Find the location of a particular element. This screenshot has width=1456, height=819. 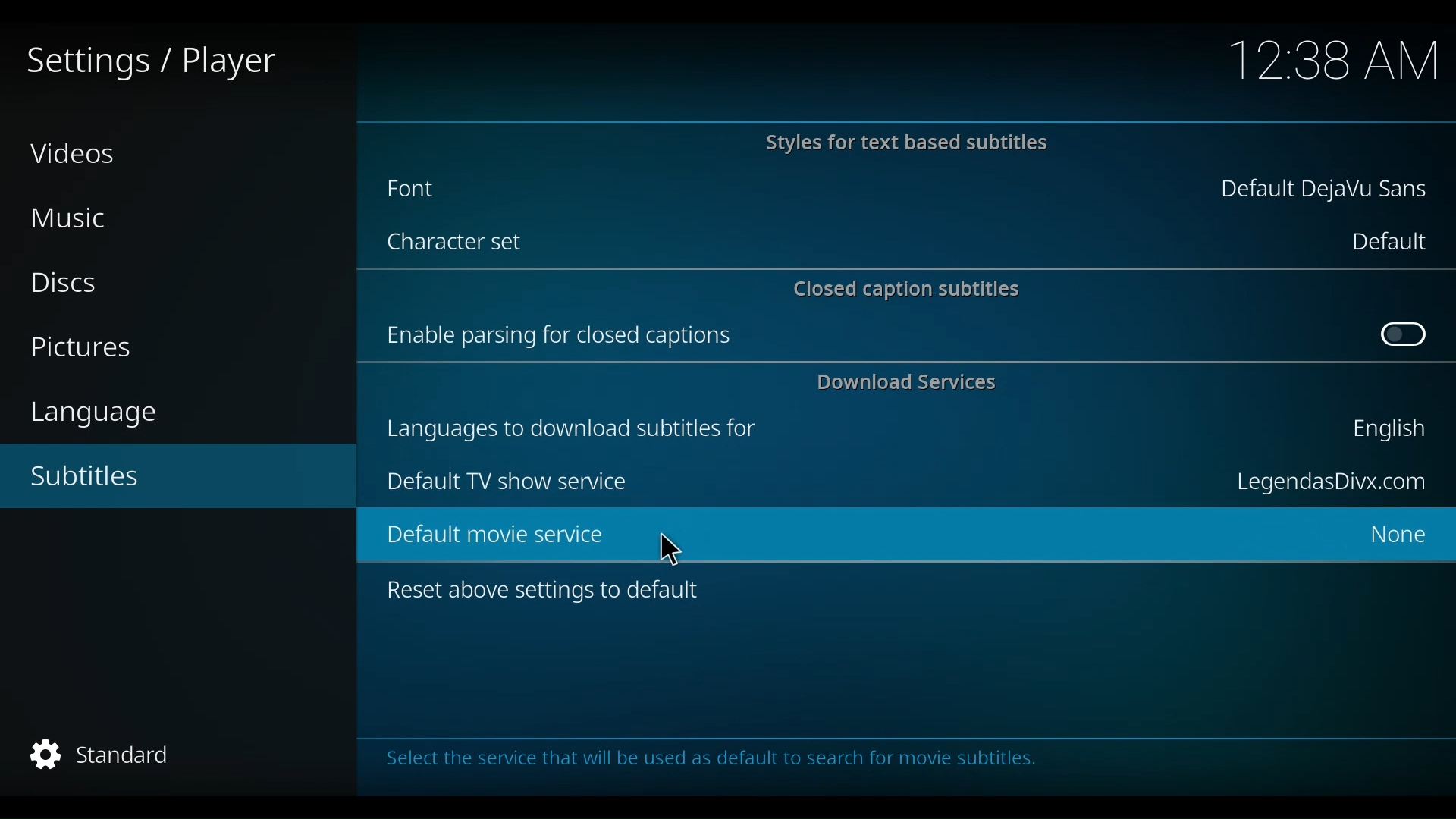

Styles for text based subtitles is located at coordinates (905, 144).